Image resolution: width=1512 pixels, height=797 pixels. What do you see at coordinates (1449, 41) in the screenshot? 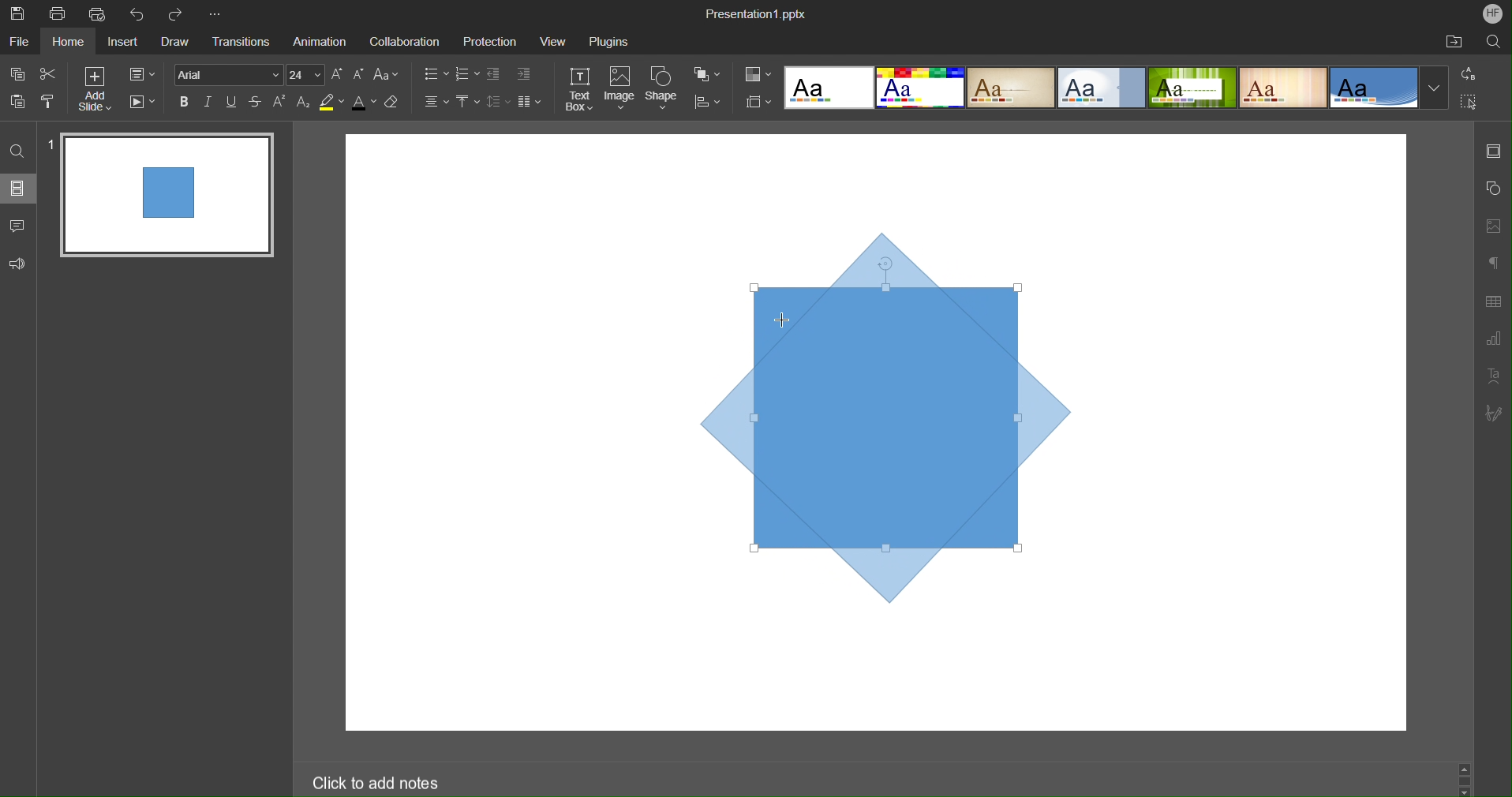
I see `Open File Location` at bounding box center [1449, 41].